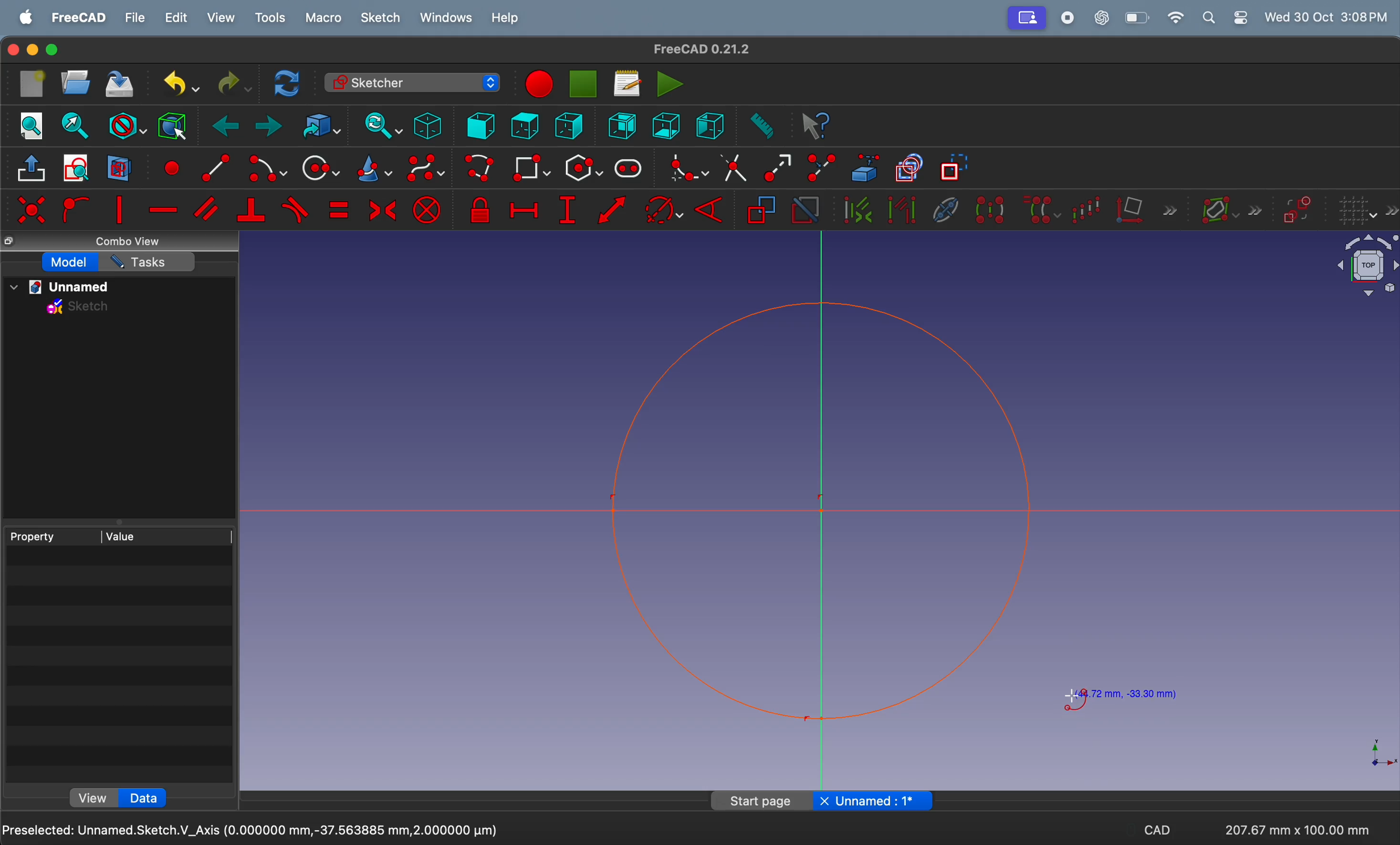 The height and width of the screenshot is (845, 1400). What do you see at coordinates (537, 84) in the screenshot?
I see `stop marco` at bounding box center [537, 84].